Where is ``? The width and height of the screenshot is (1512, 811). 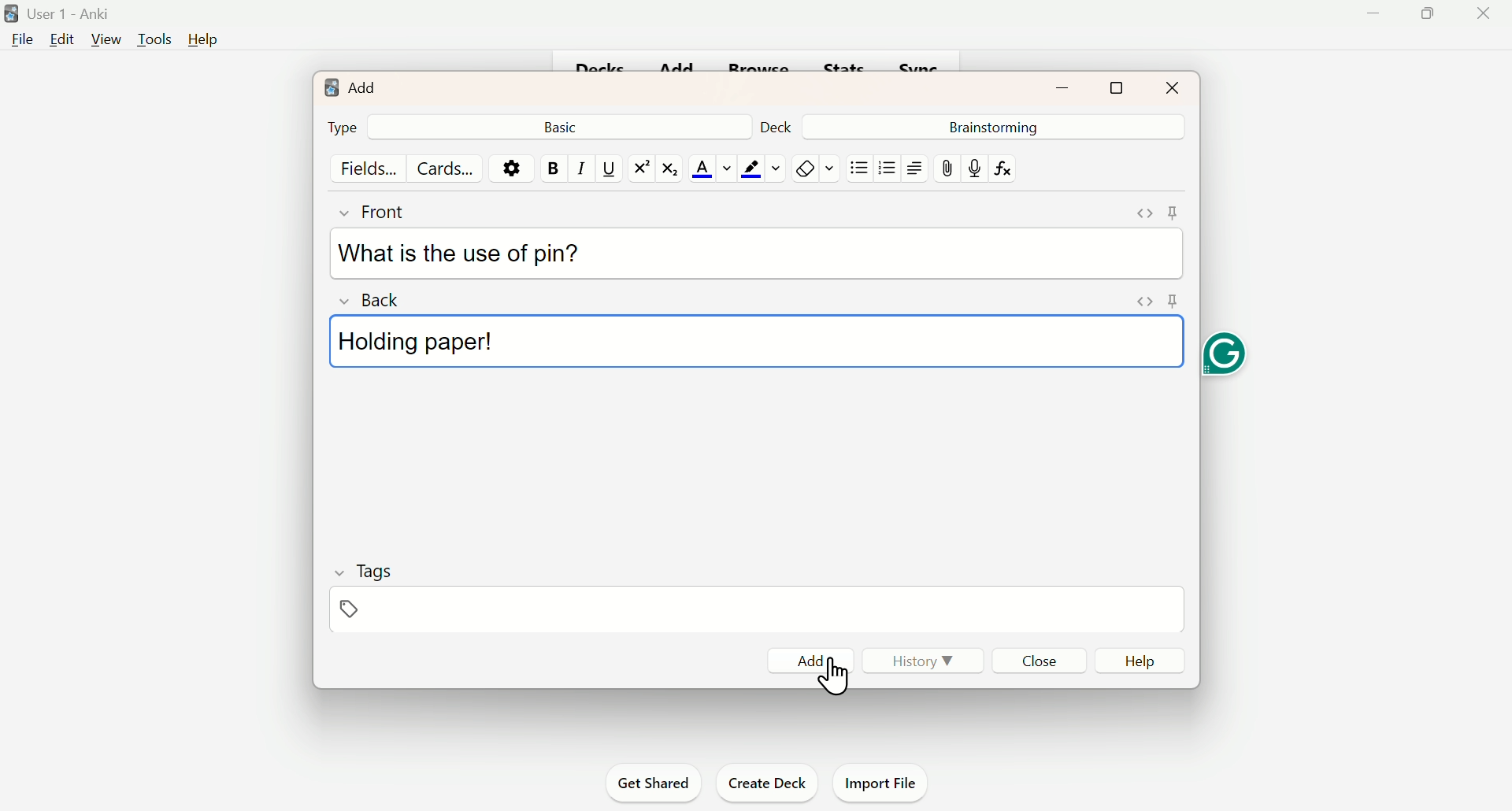  is located at coordinates (65, 38).